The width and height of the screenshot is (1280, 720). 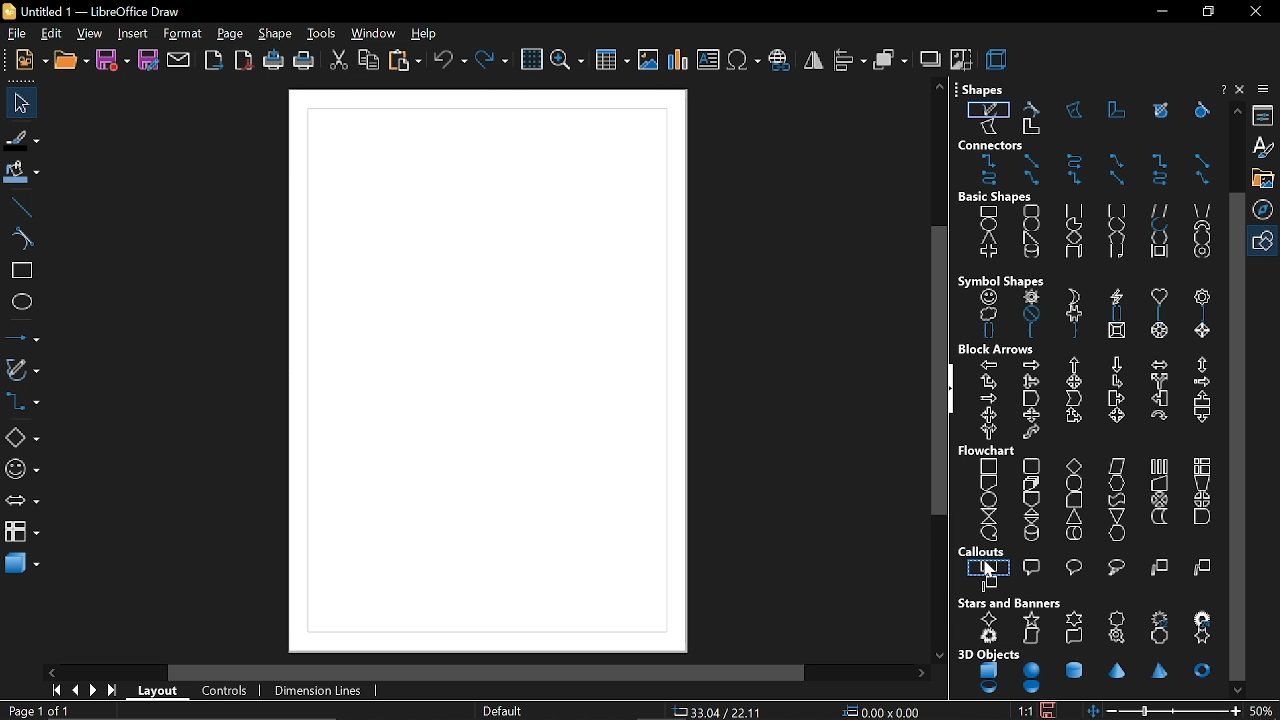 What do you see at coordinates (990, 566) in the screenshot?
I see `rectangular` at bounding box center [990, 566].